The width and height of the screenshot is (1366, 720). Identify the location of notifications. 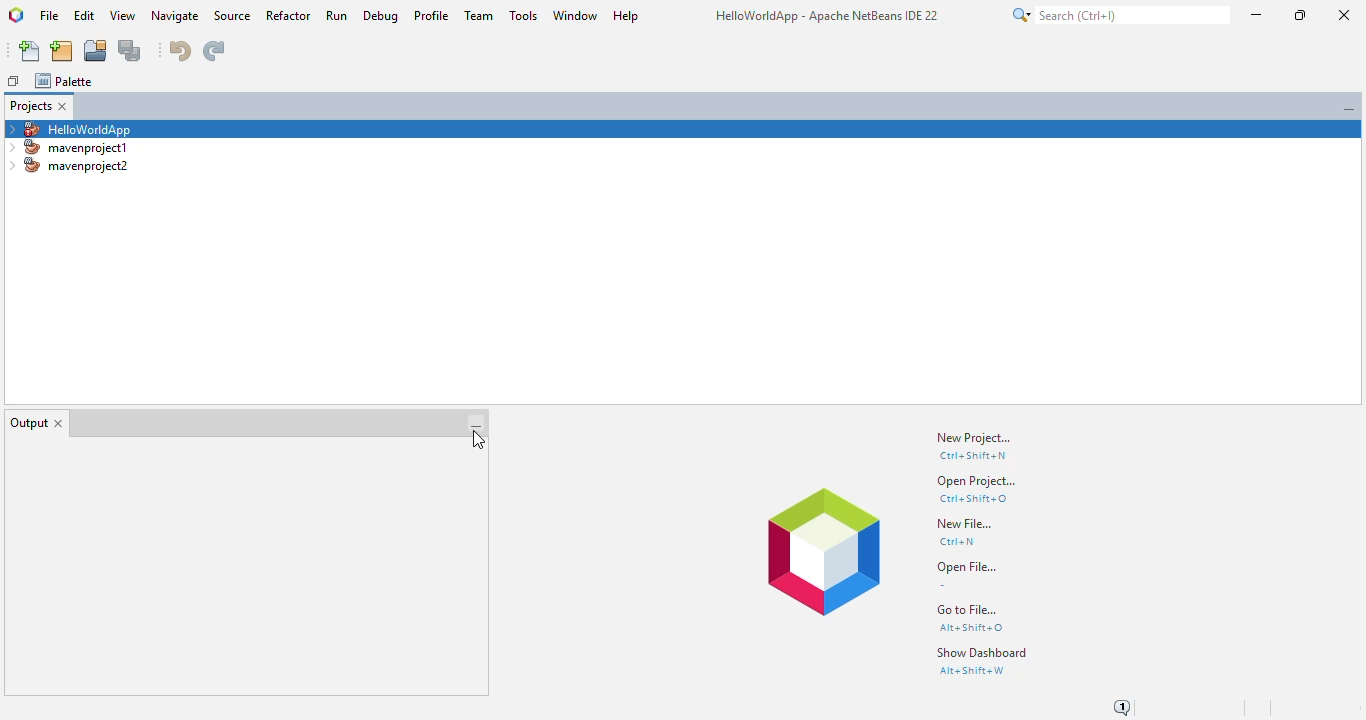
(1127, 706).